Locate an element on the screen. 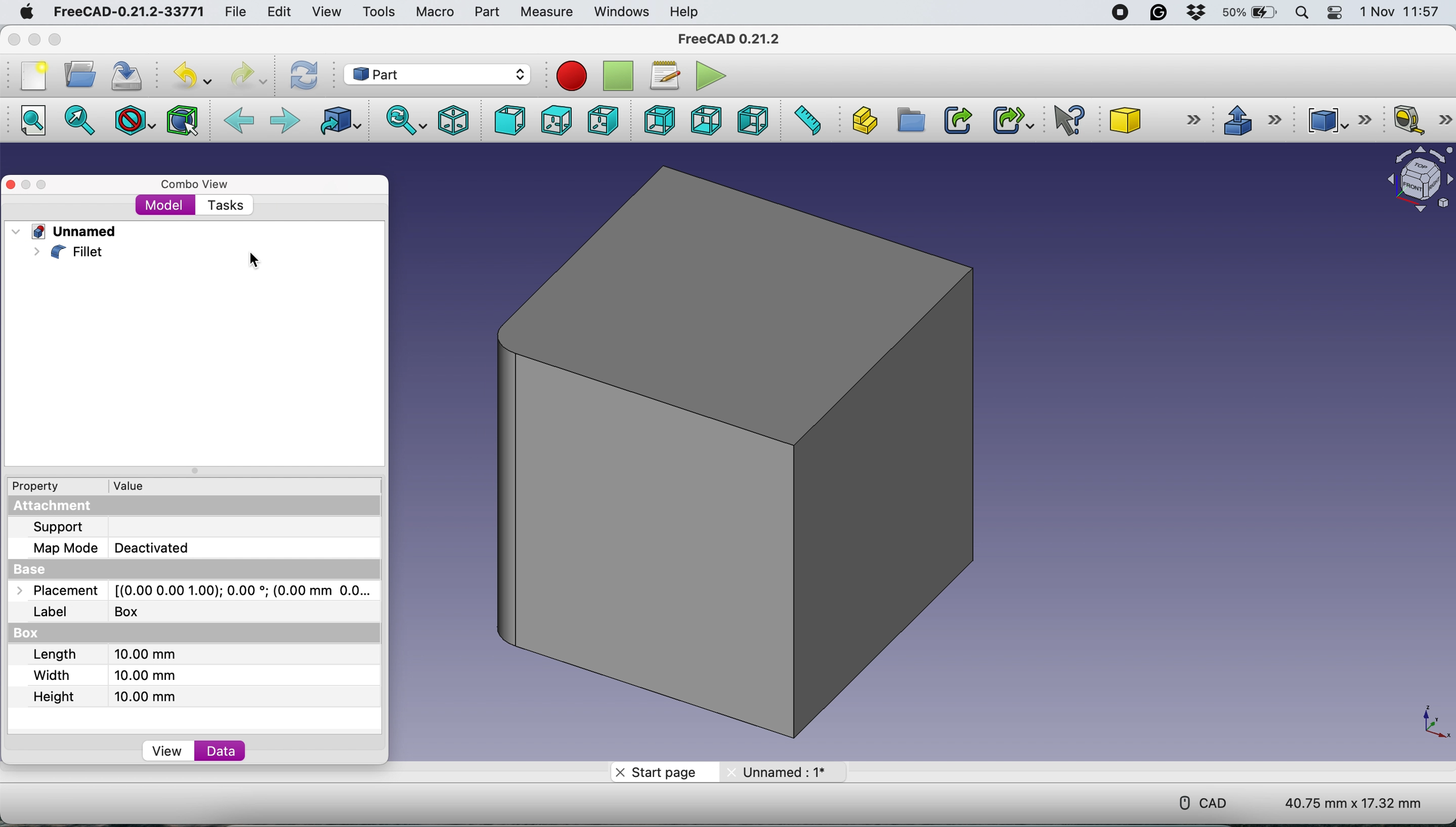 The height and width of the screenshot is (827, 1456). base is located at coordinates (36, 570).